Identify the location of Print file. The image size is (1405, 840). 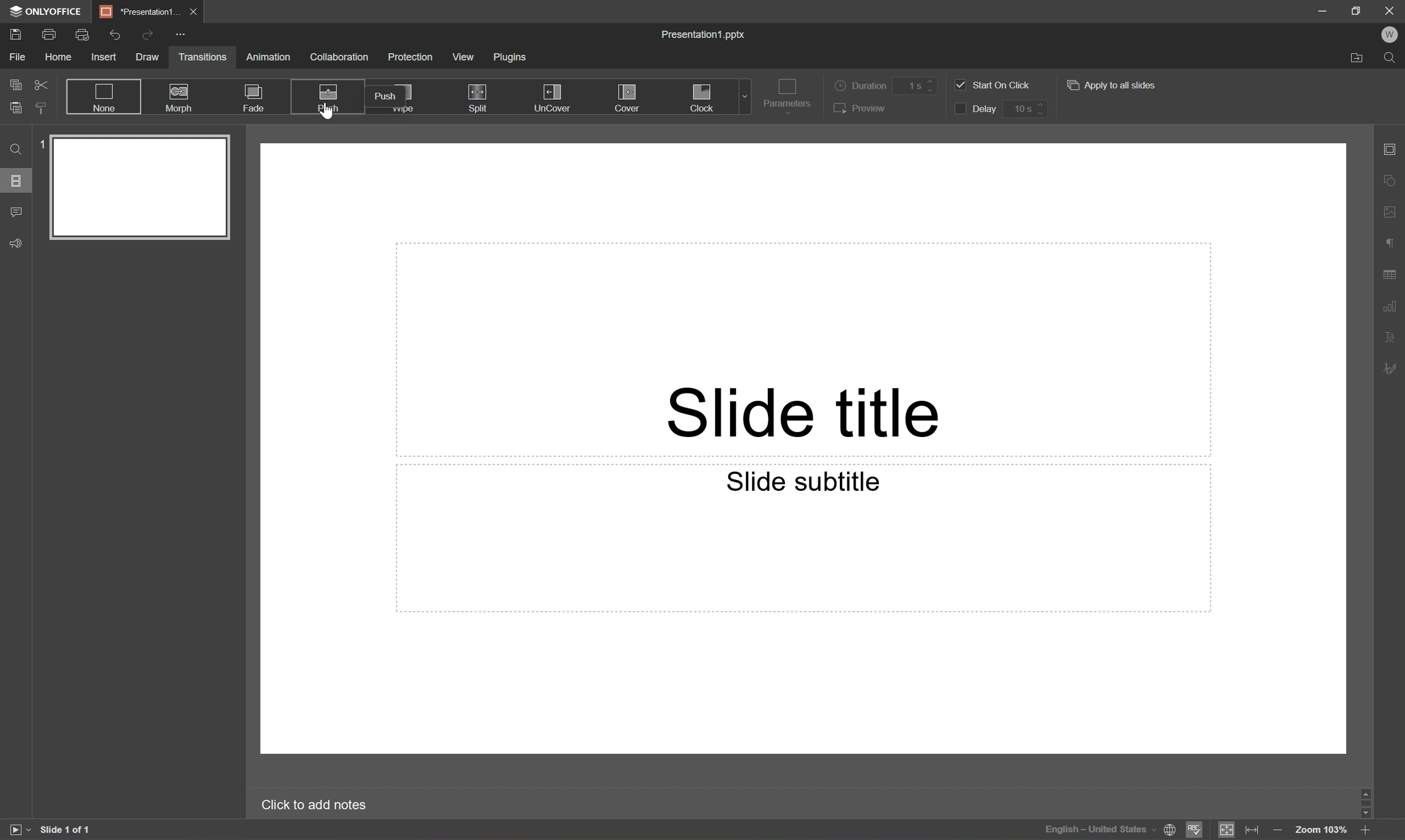
(48, 33).